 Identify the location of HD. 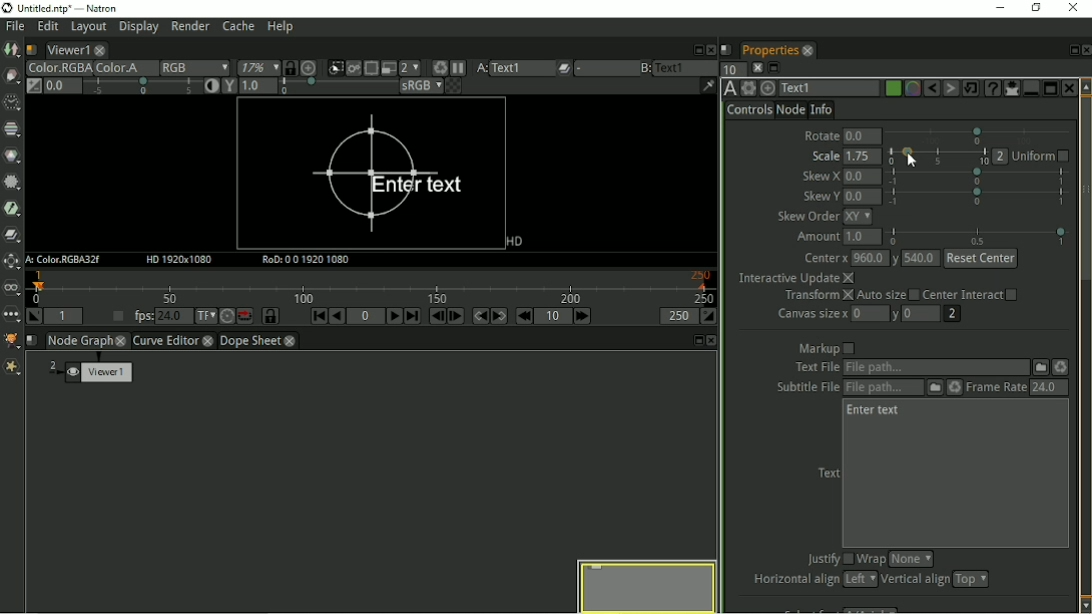
(179, 259).